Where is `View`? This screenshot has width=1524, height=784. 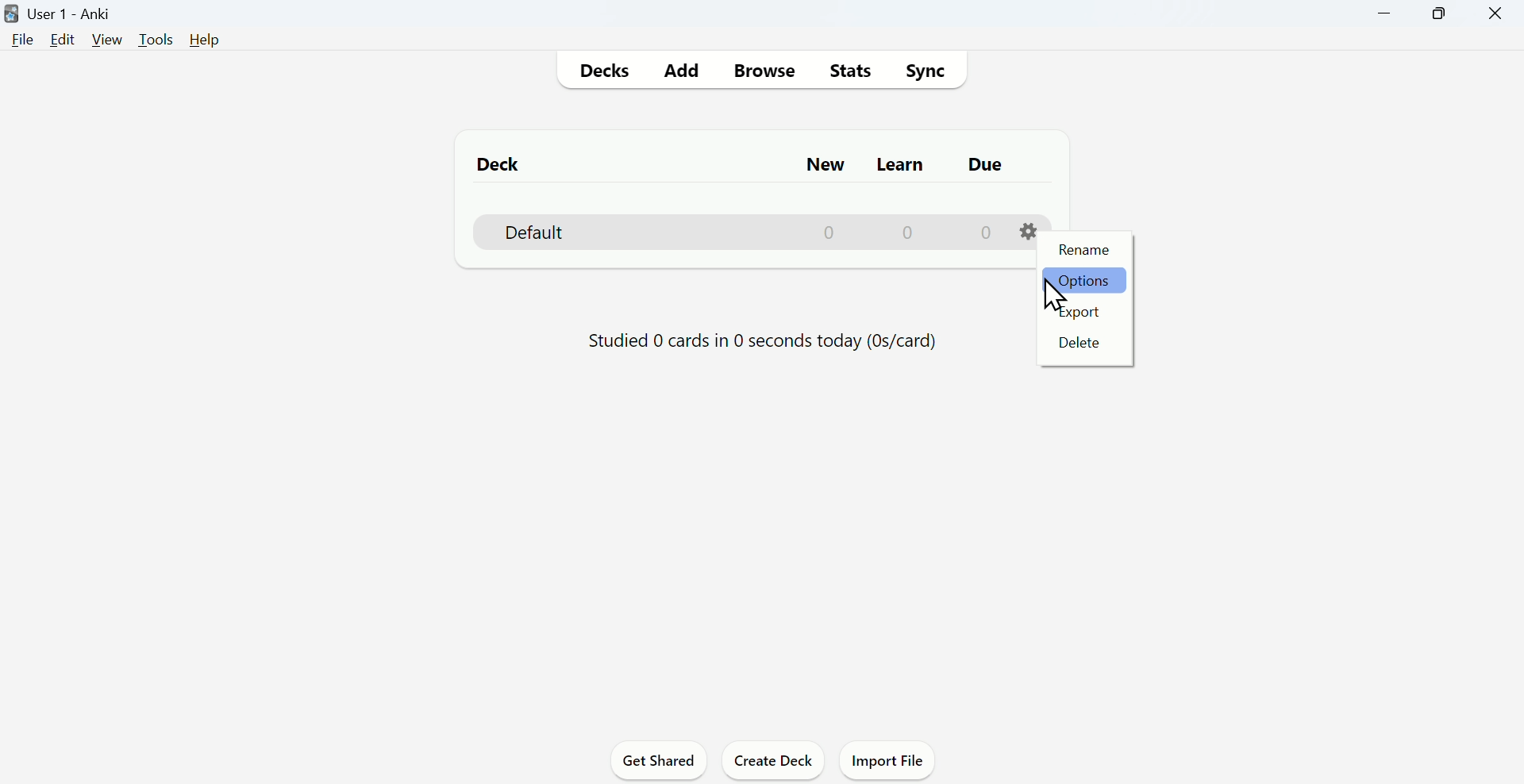 View is located at coordinates (109, 40).